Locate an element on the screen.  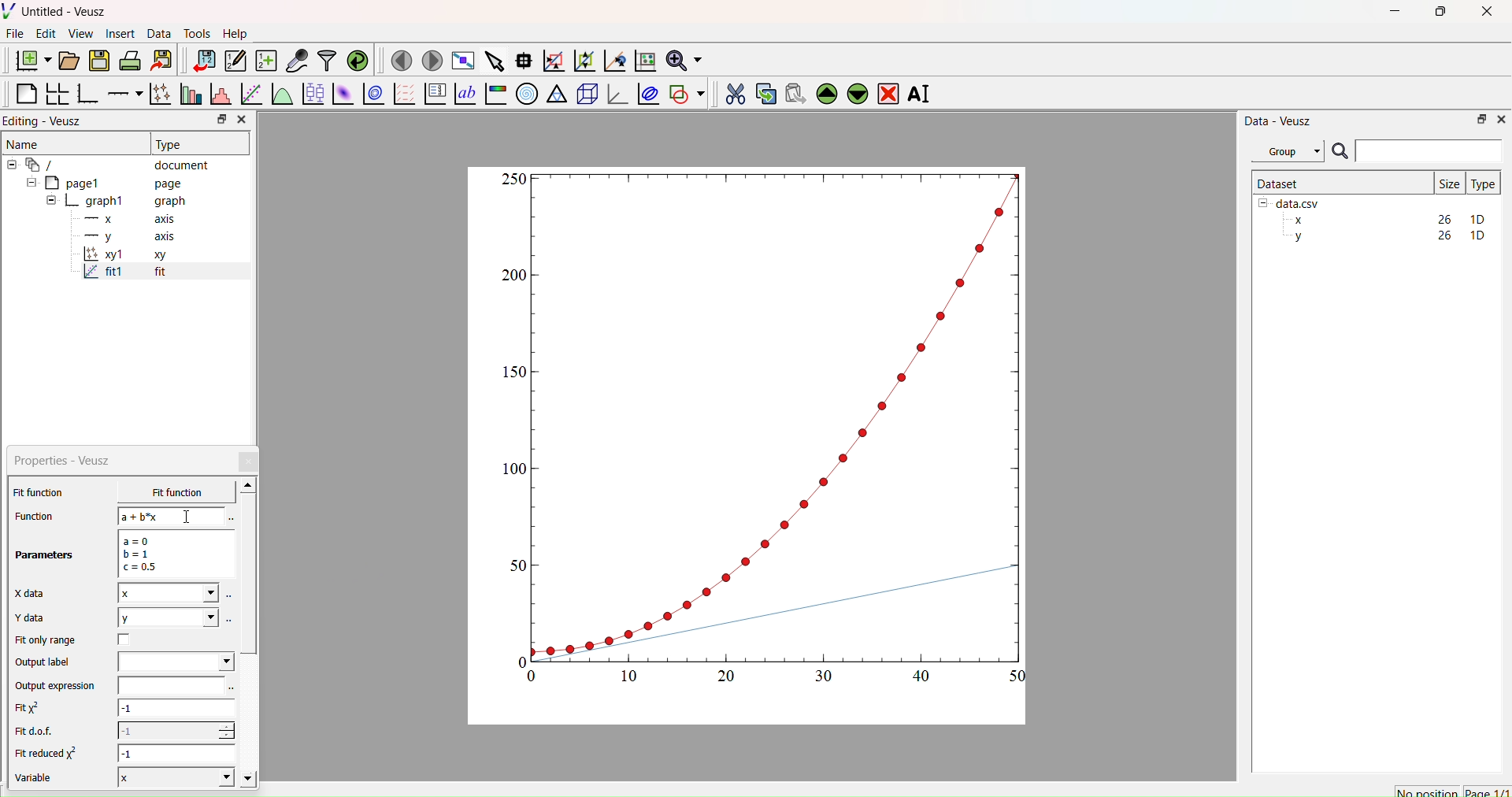
-1 is located at coordinates (176, 710).